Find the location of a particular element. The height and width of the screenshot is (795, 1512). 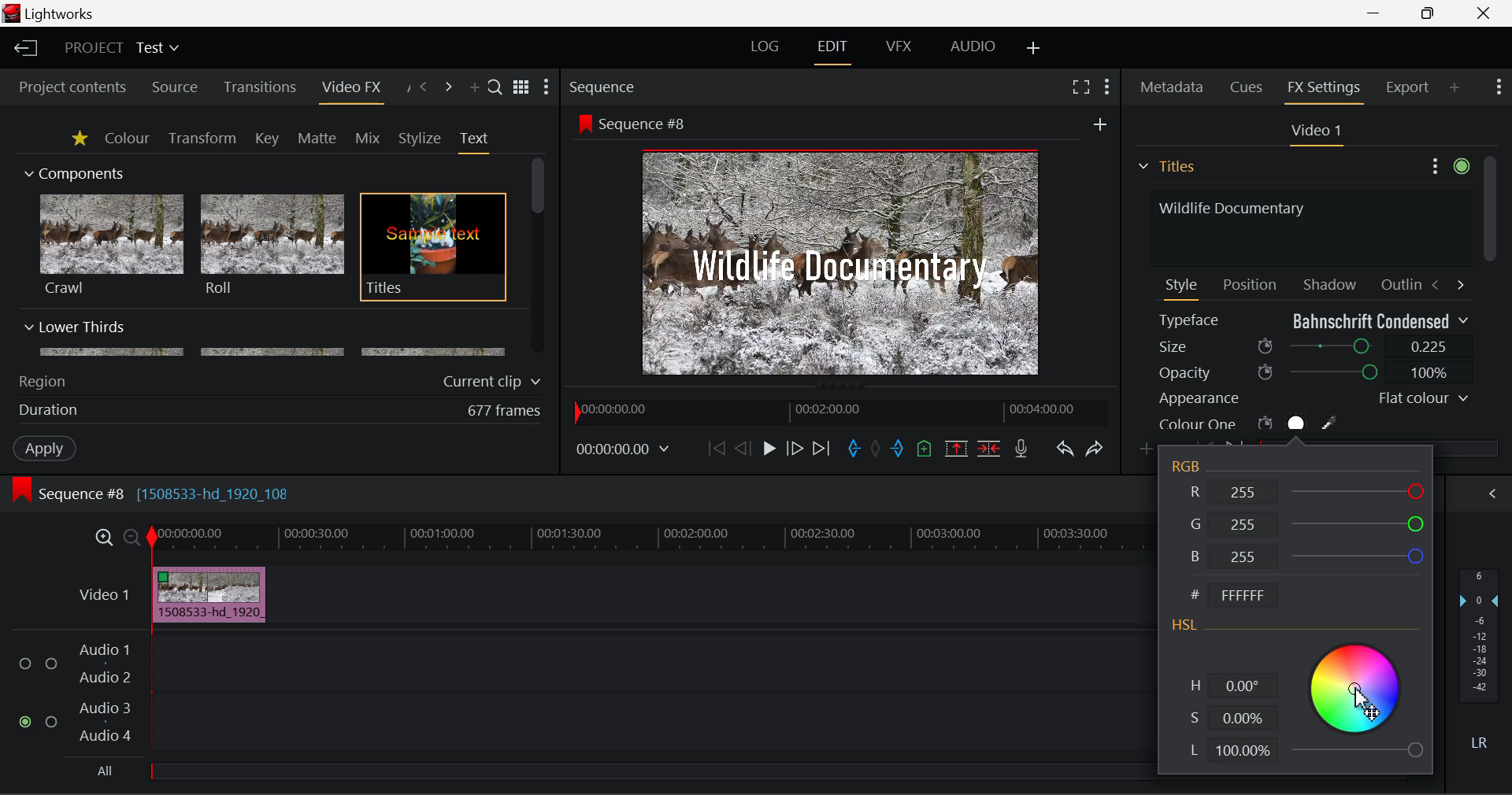

Code is located at coordinates (1238, 597).